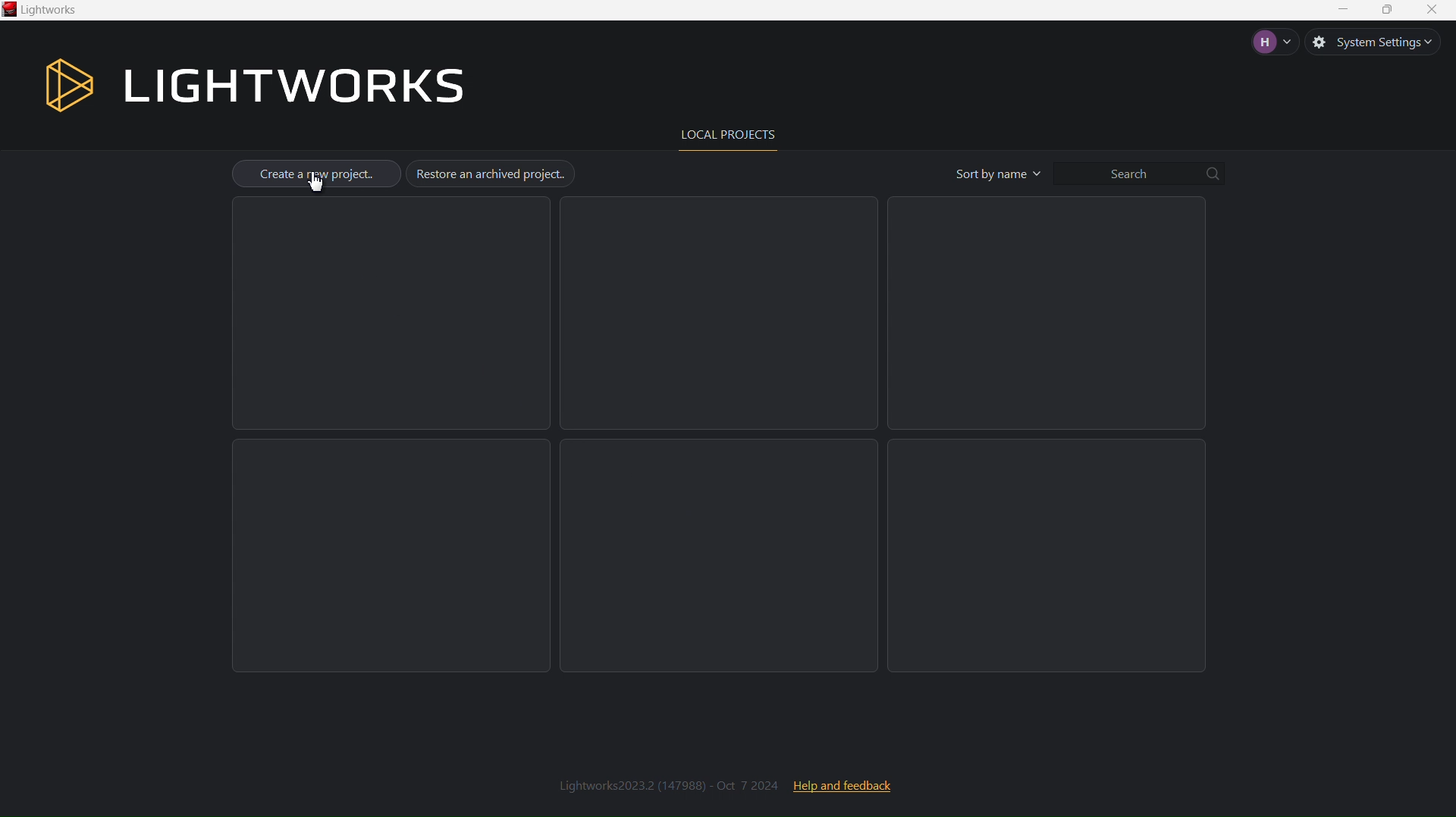 This screenshot has height=817, width=1456. What do you see at coordinates (1047, 315) in the screenshot?
I see `Empty Project` at bounding box center [1047, 315].